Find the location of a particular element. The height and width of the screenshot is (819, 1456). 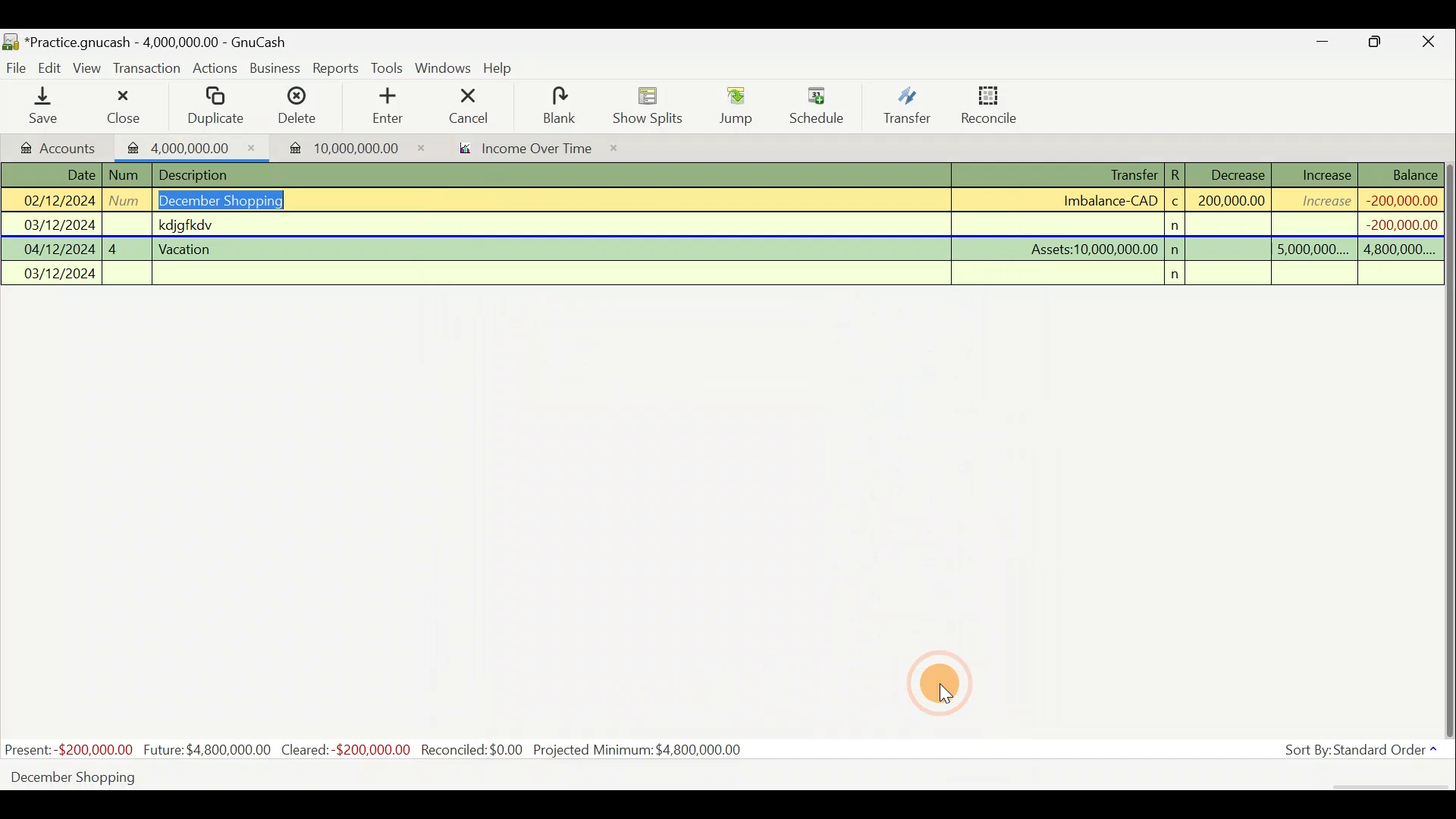

Business is located at coordinates (276, 69).